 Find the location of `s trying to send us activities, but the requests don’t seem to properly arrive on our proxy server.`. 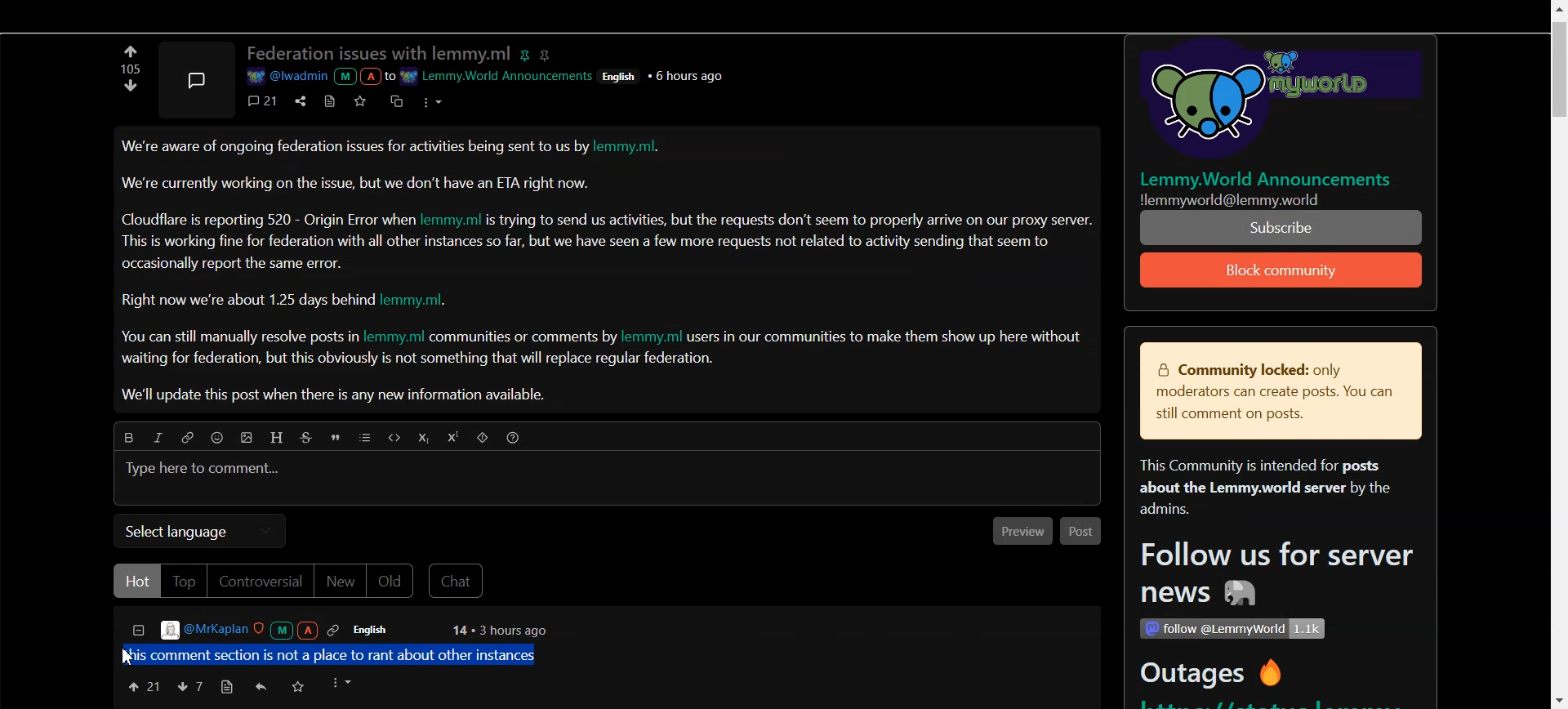

s trying to send us activities, but the requests don’t seem to properly arrive on our proxy server. is located at coordinates (791, 221).